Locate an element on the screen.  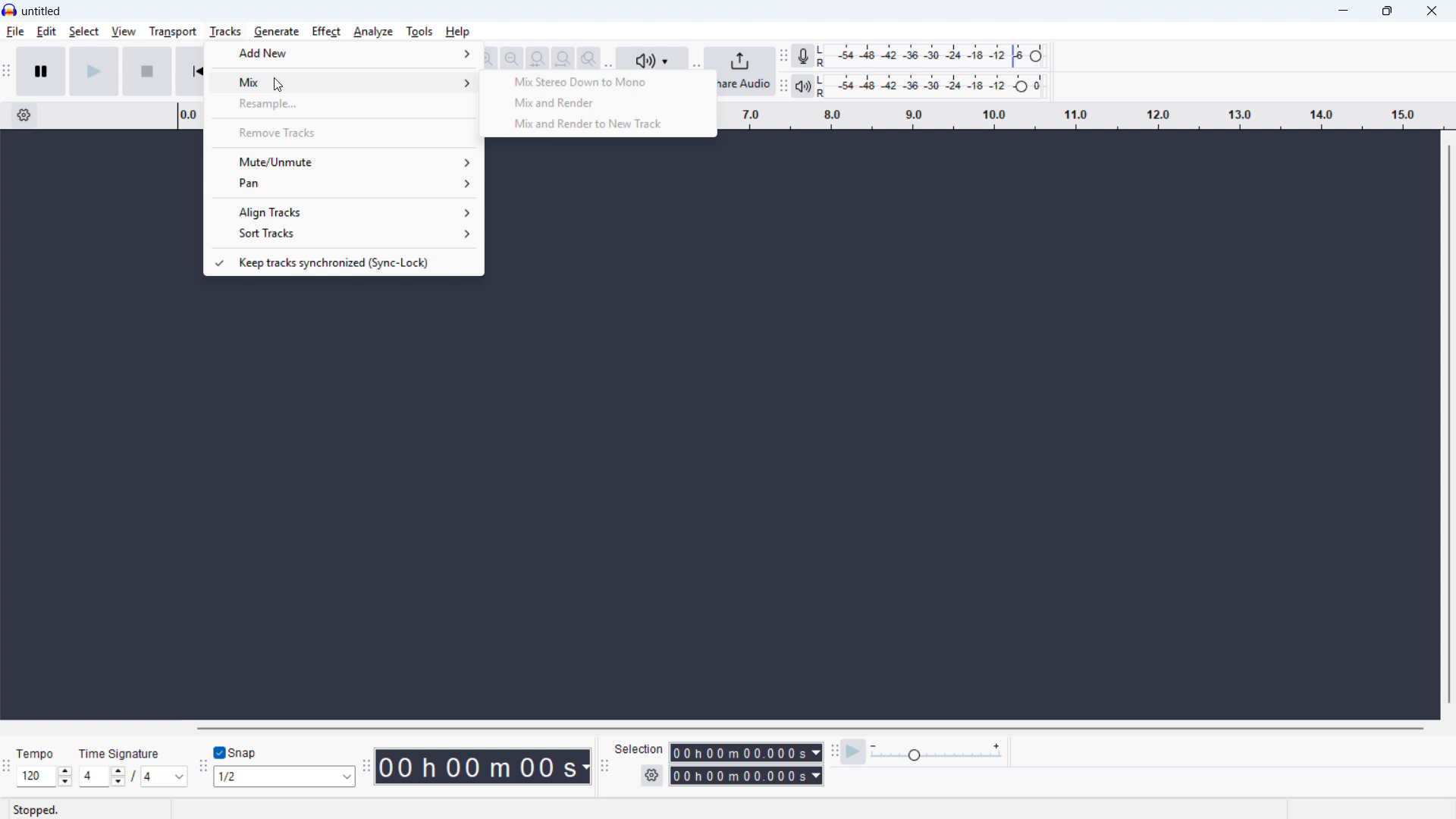
Vertical scroll bar  is located at coordinates (1450, 422).